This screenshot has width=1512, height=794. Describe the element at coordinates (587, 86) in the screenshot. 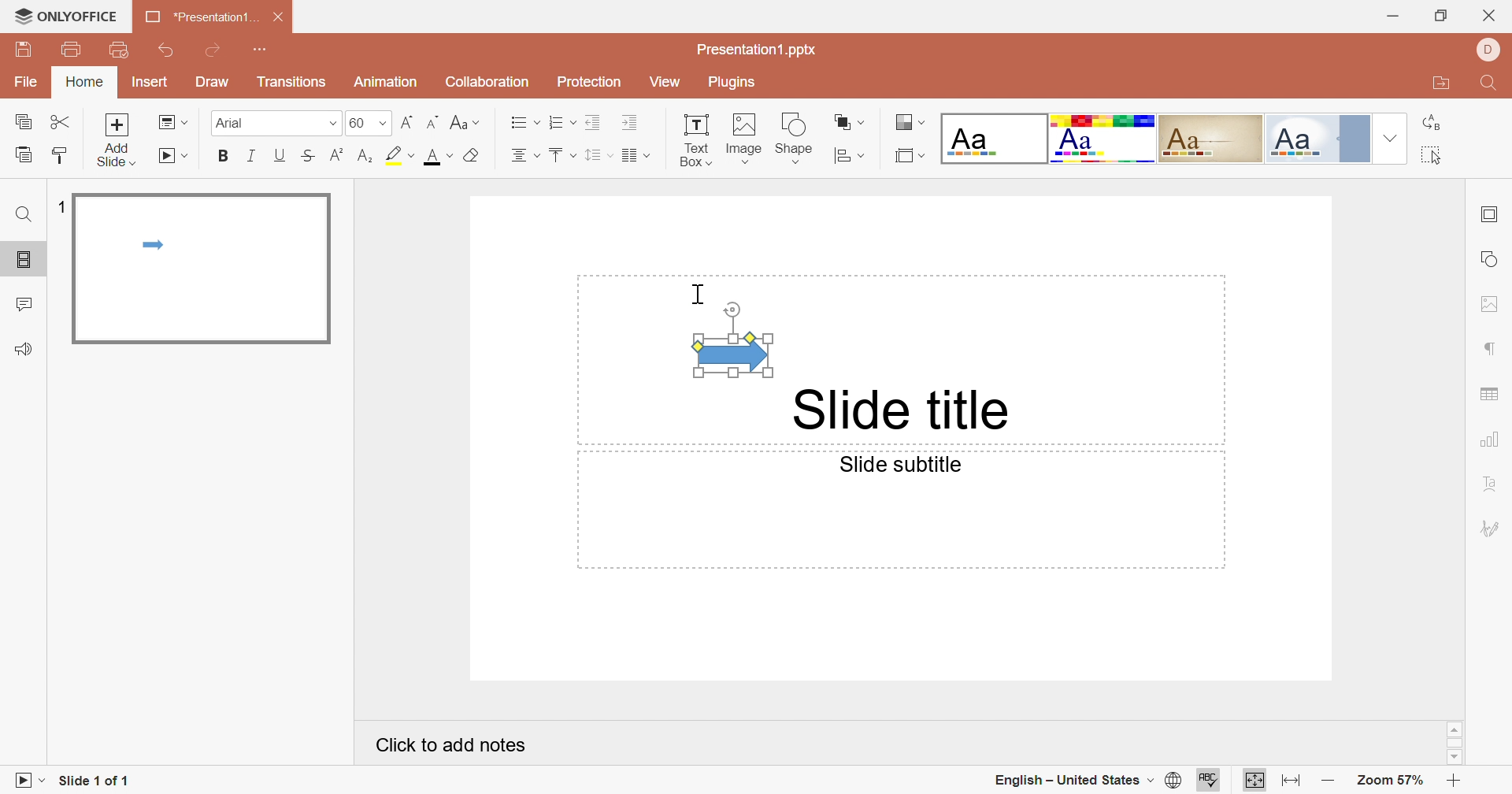

I see `Protection` at that location.